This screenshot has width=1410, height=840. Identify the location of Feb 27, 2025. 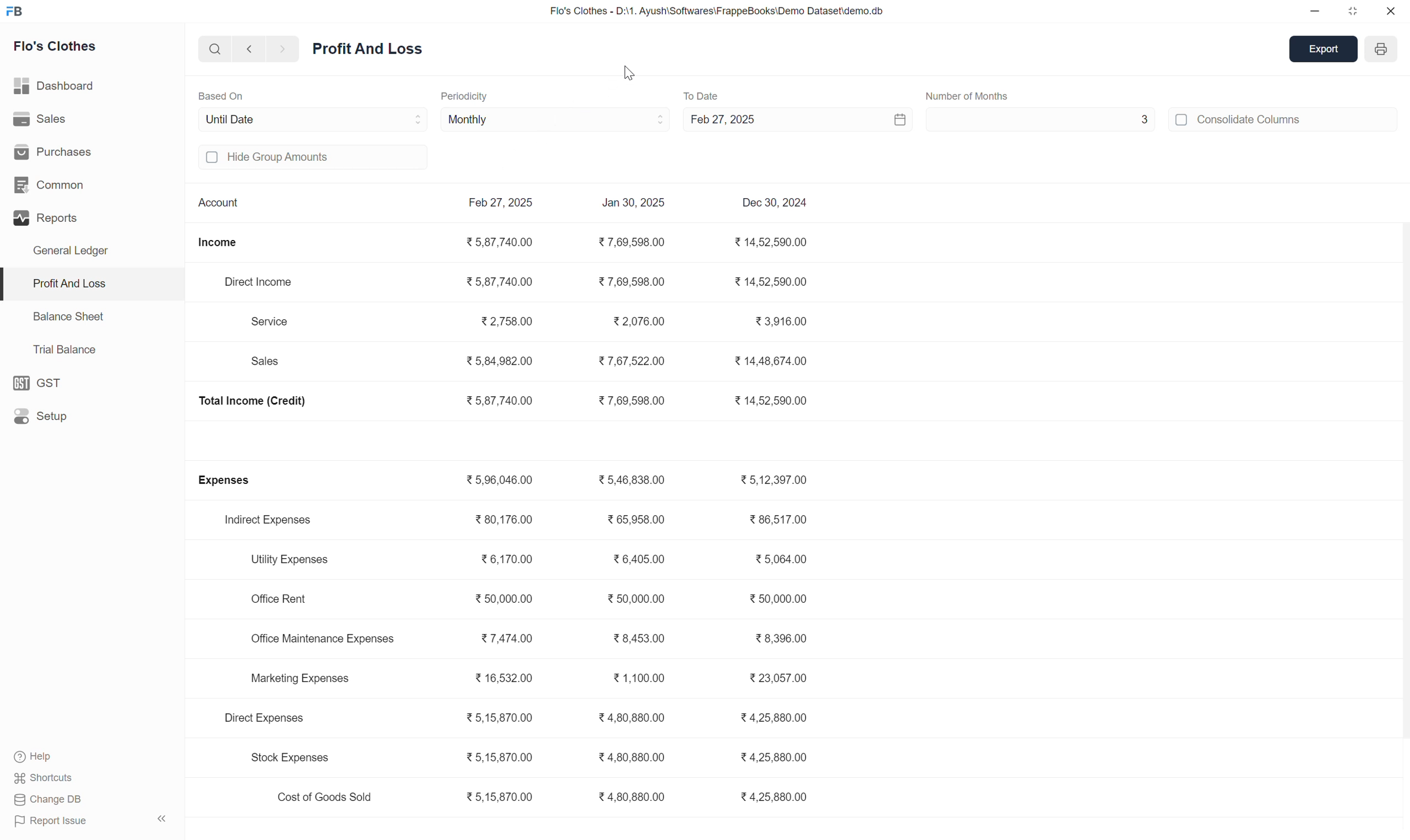
(740, 123).